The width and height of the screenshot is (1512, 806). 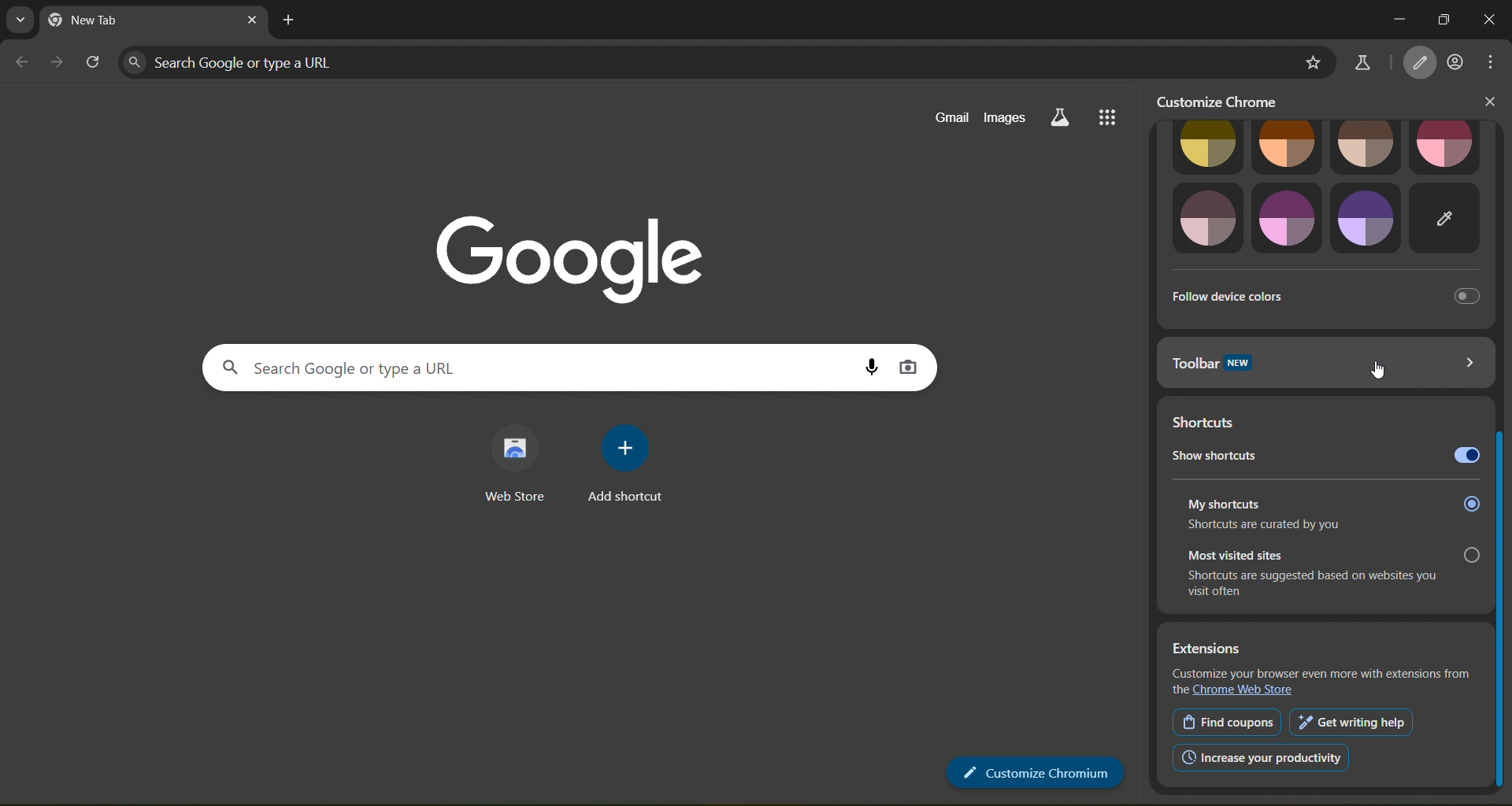 What do you see at coordinates (1333, 497) in the screenshot?
I see `my shortcuts` at bounding box center [1333, 497].